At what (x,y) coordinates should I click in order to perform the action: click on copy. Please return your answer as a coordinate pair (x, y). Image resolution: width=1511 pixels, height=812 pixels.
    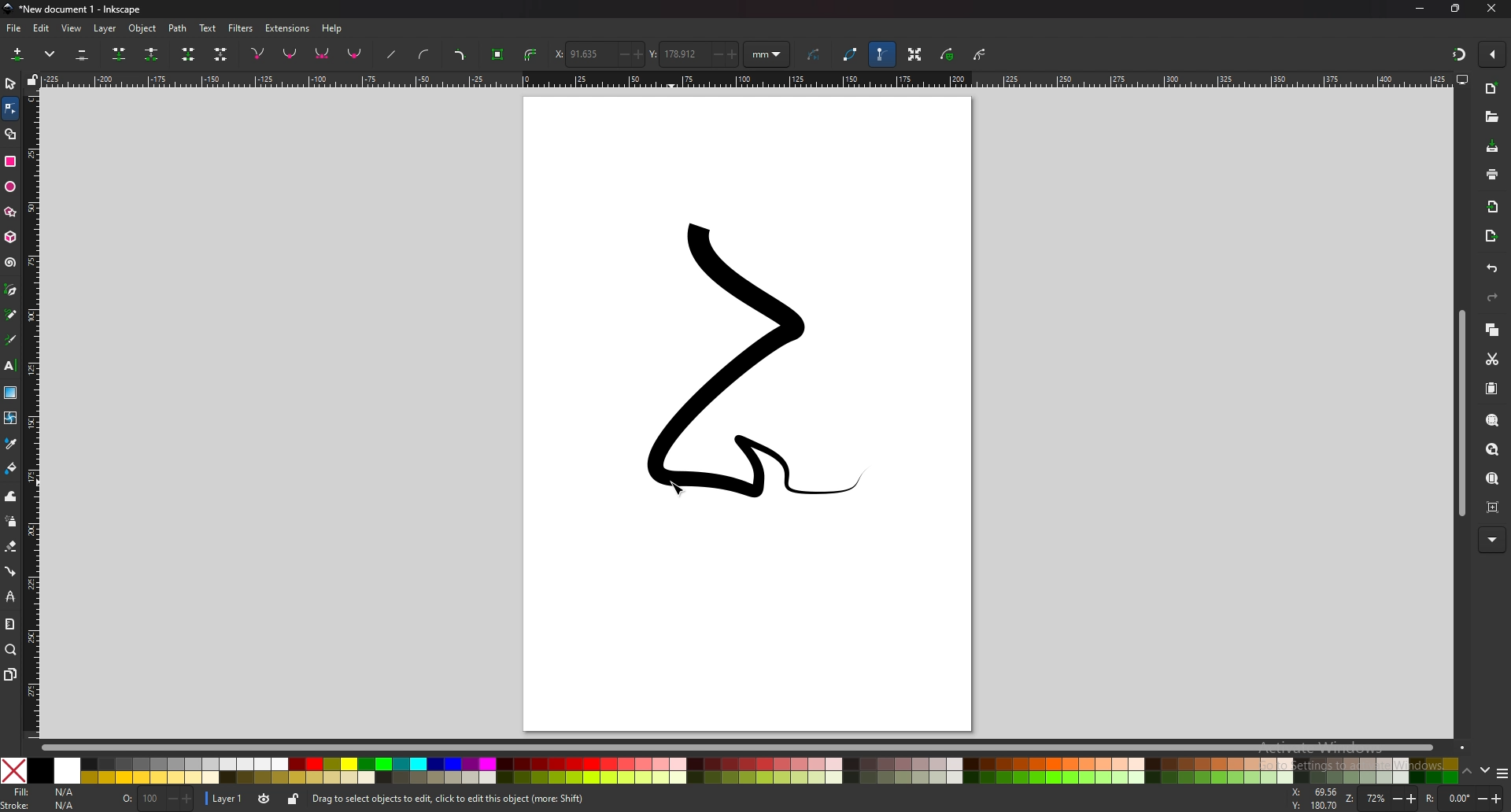
    Looking at the image, I should click on (1493, 331).